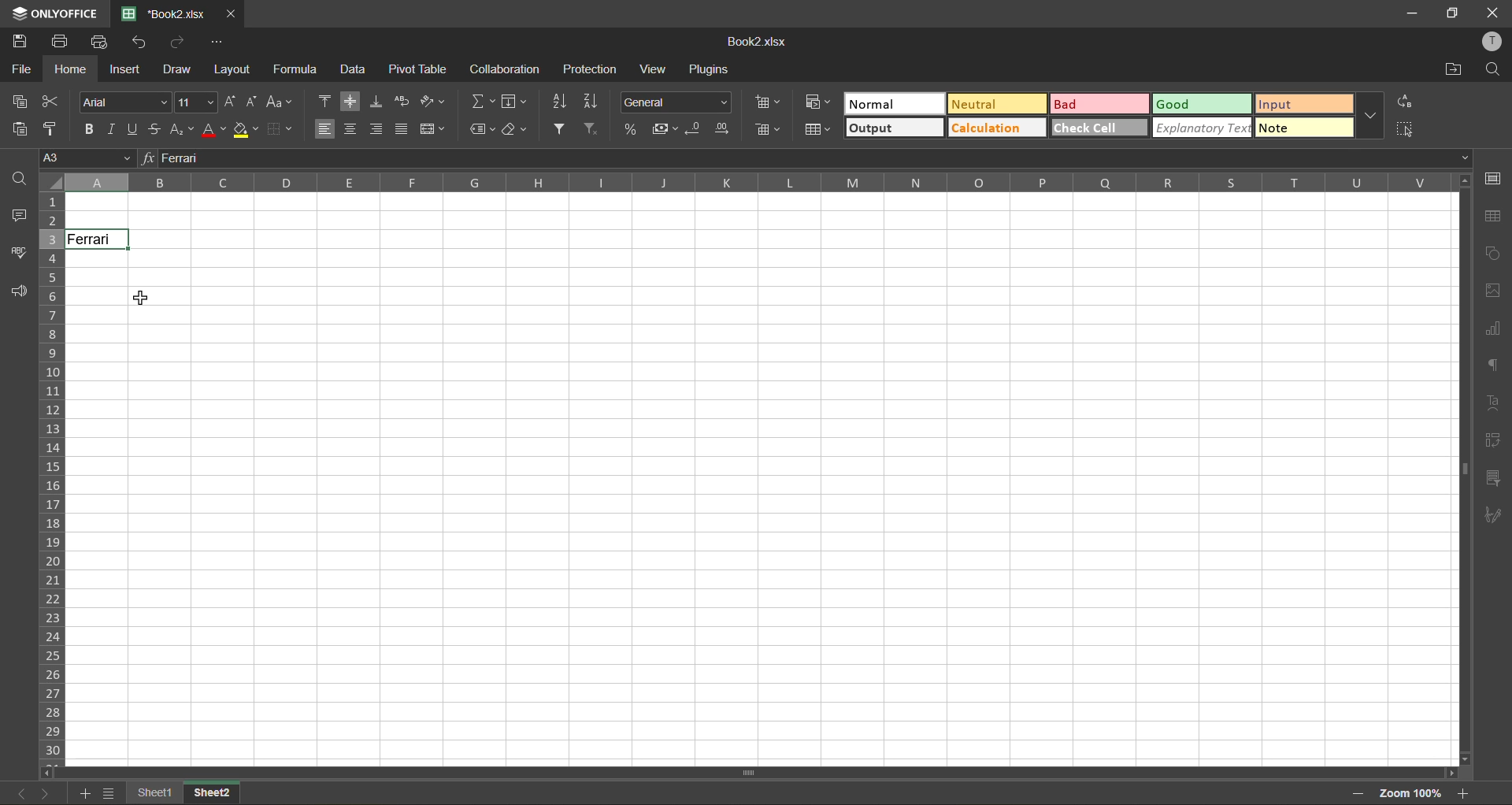  What do you see at coordinates (280, 103) in the screenshot?
I see `change case` at bounding box center [280, 103].